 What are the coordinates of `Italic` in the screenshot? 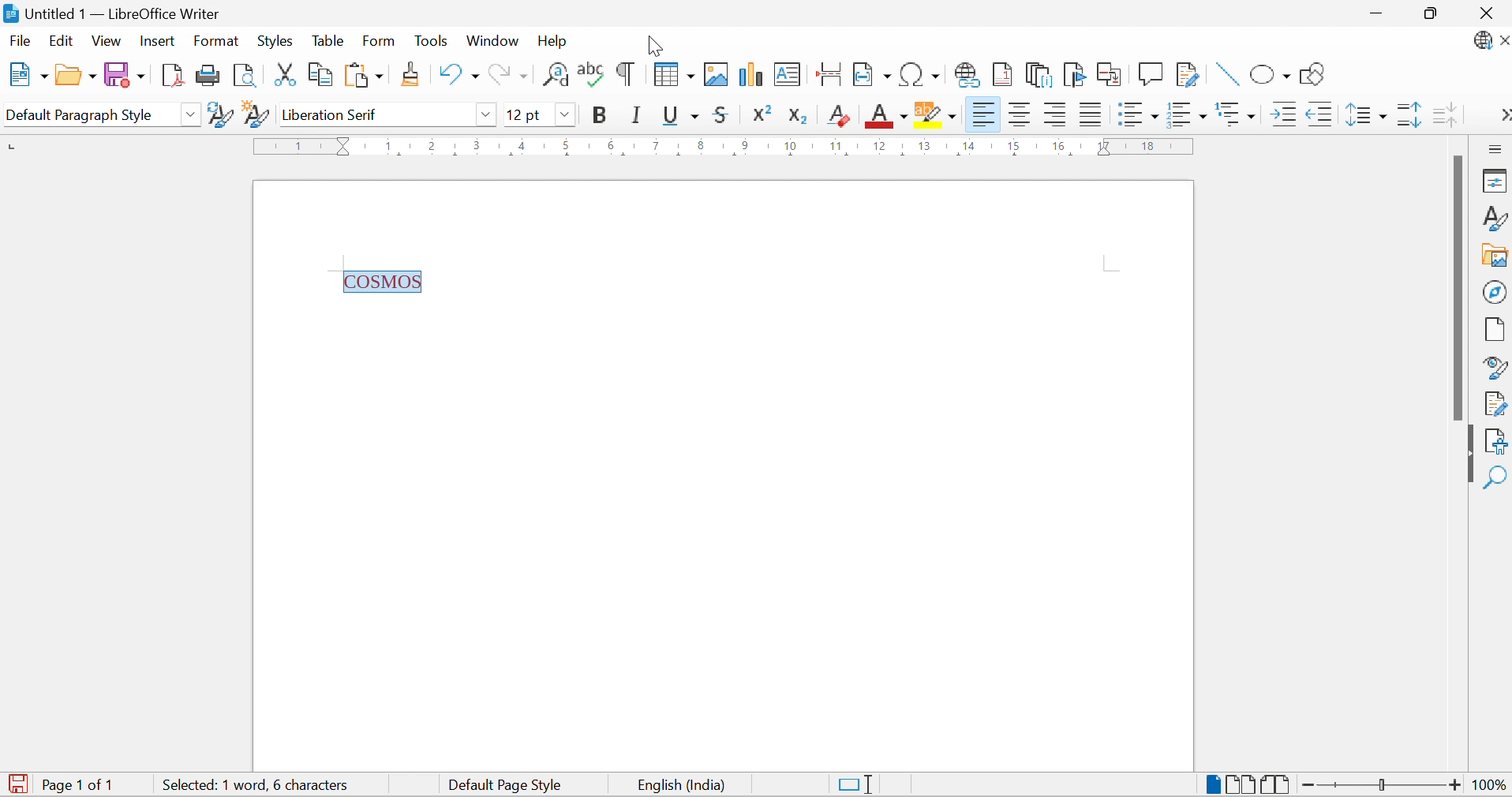 It's located at (638, 114).